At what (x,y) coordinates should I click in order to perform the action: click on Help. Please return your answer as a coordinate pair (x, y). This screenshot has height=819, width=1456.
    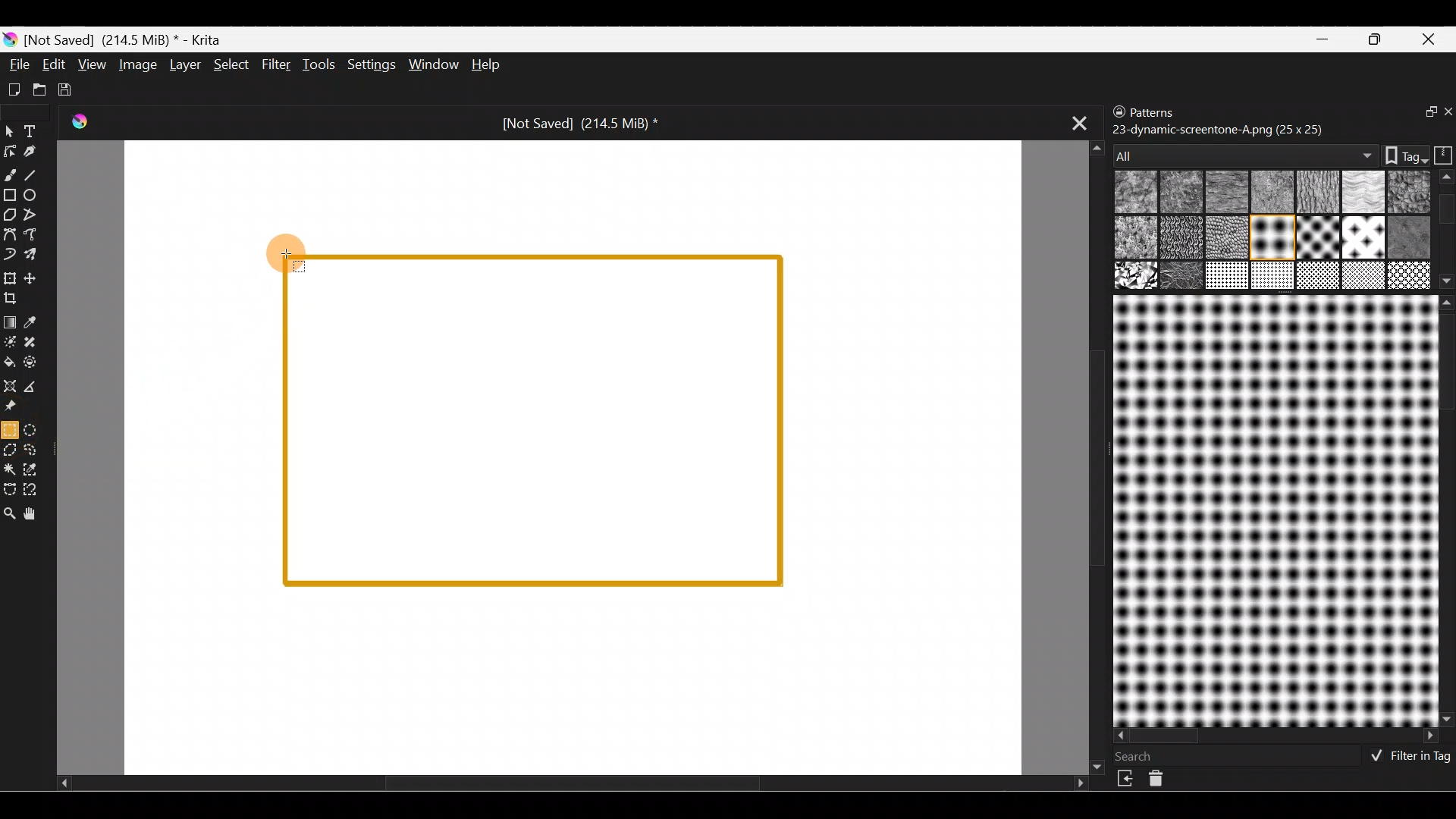
    Looking at the image, I should click on (488, 64).